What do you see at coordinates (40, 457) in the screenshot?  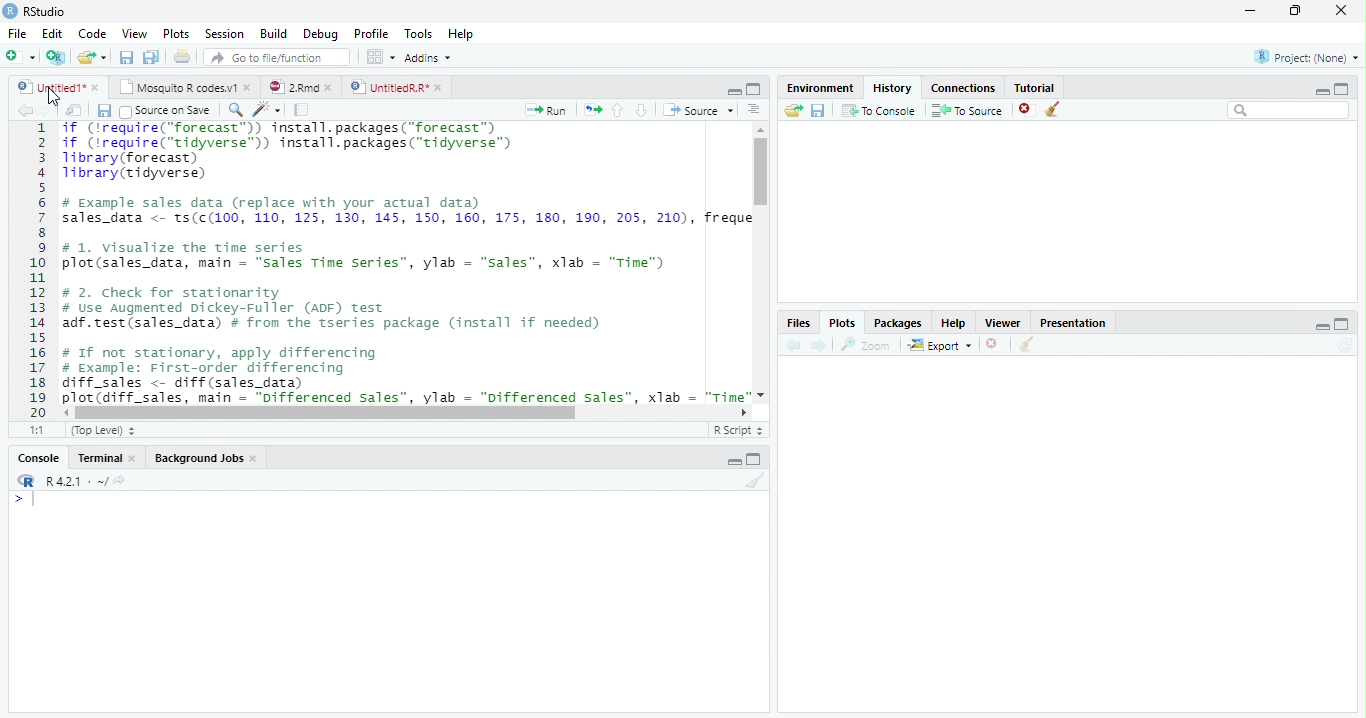 I see `Console` at bounding box center [40, 457].